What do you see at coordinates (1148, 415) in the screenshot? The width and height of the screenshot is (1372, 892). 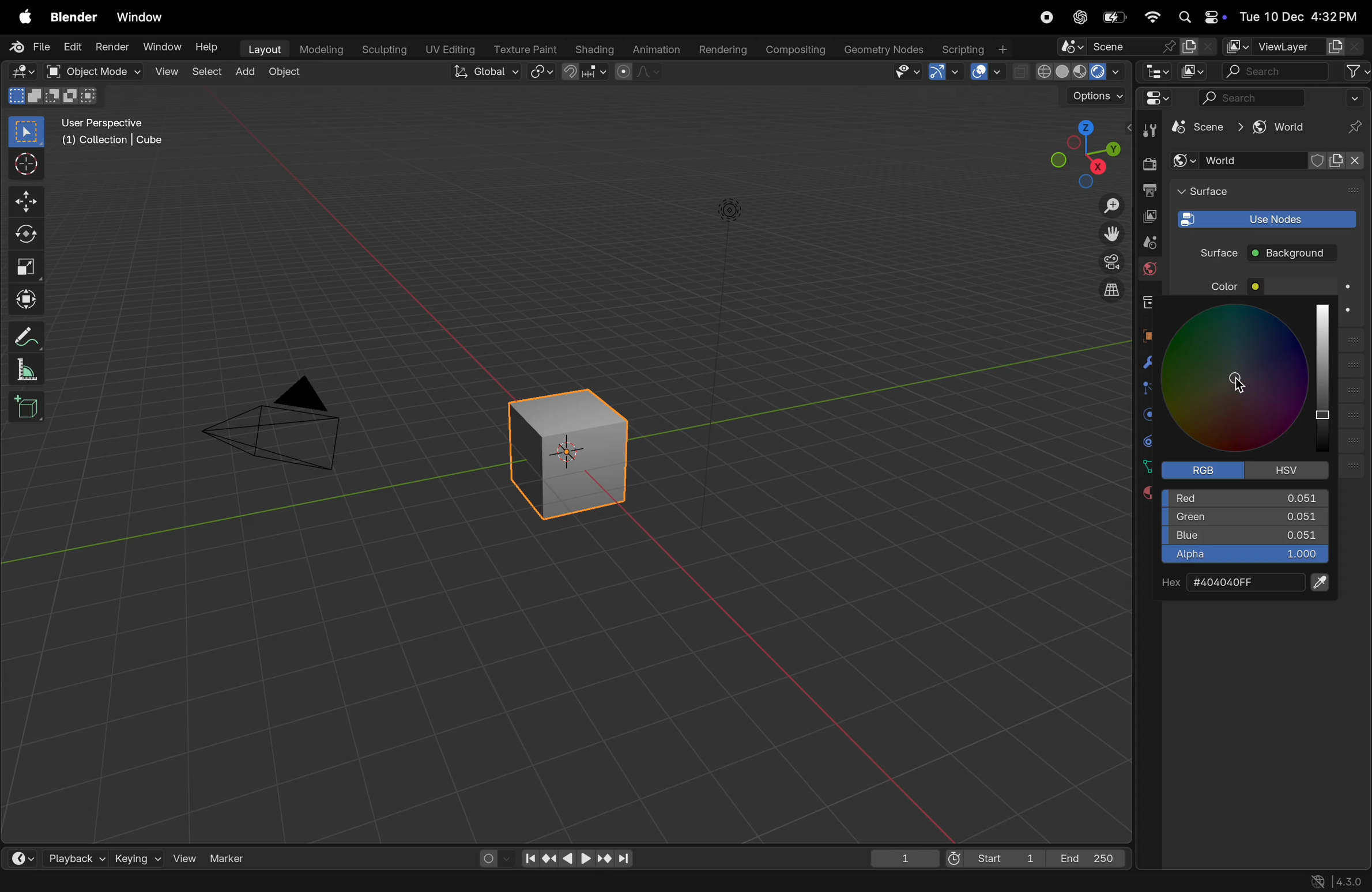 I see `physics` at bounding box center [1148, 415].